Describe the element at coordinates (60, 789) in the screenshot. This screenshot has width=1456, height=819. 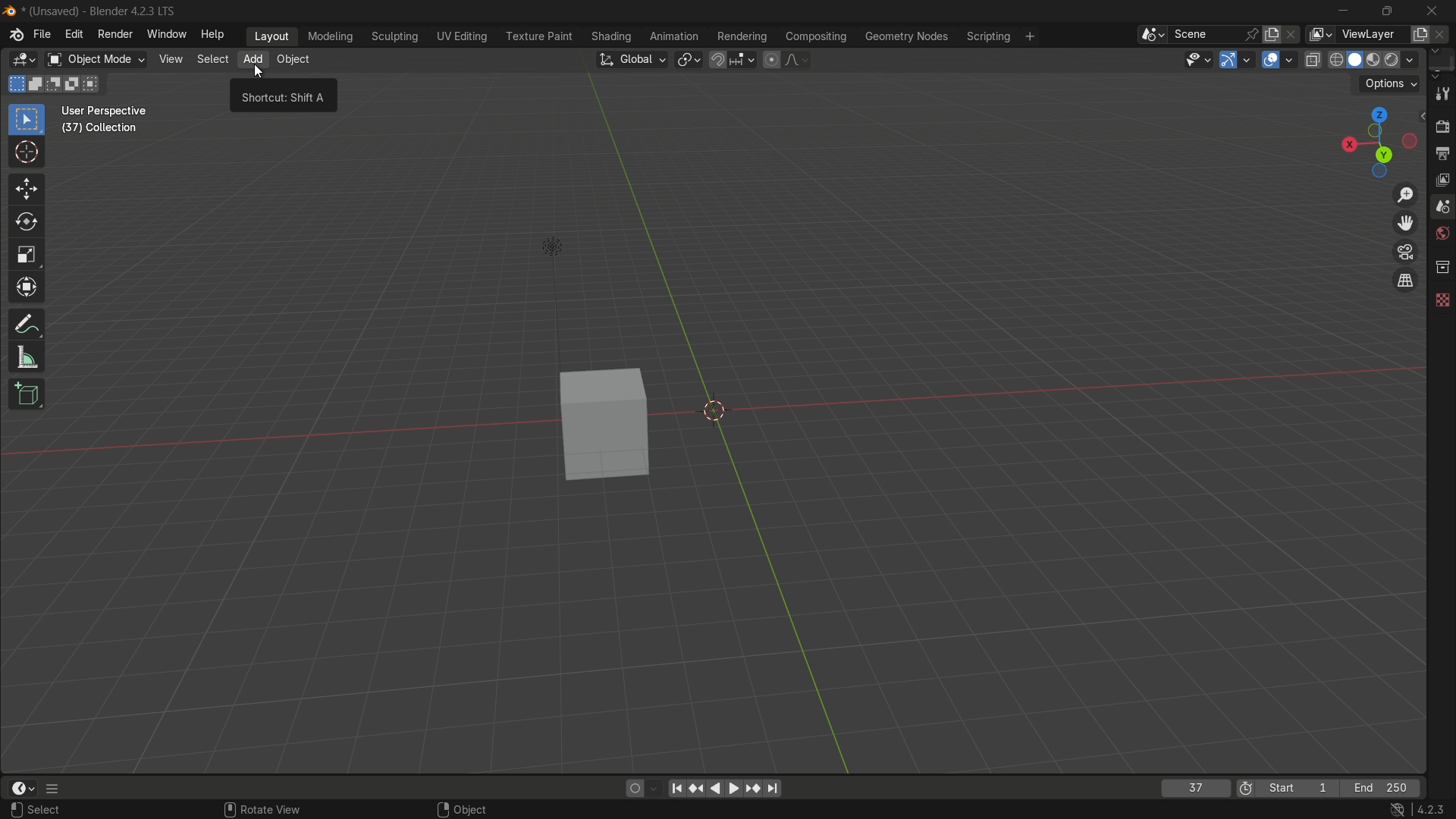
I see `more options` at that location.